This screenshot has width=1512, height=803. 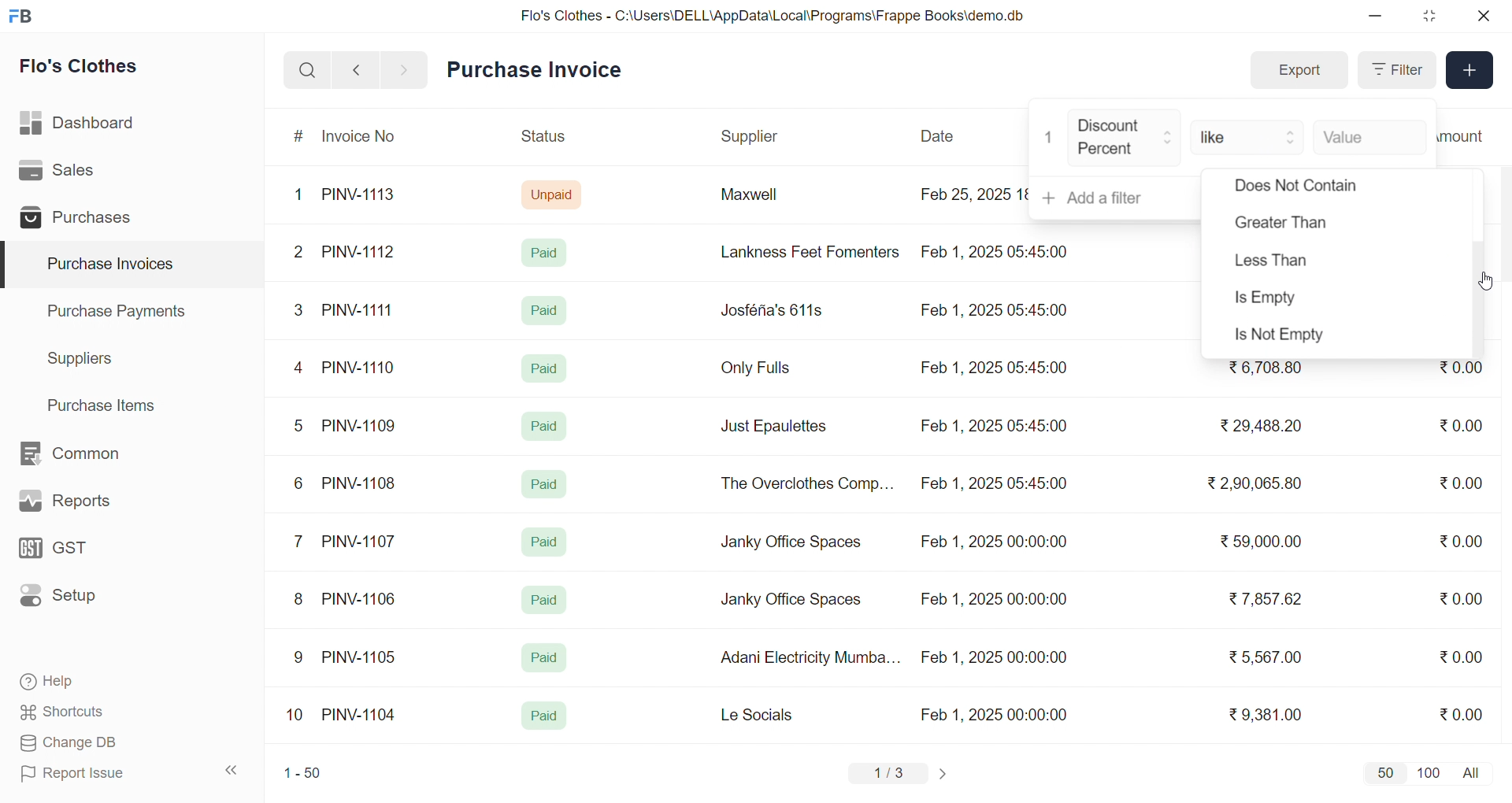 I want to click on ₹ 7,857.62, so click(x=1267, y=599).